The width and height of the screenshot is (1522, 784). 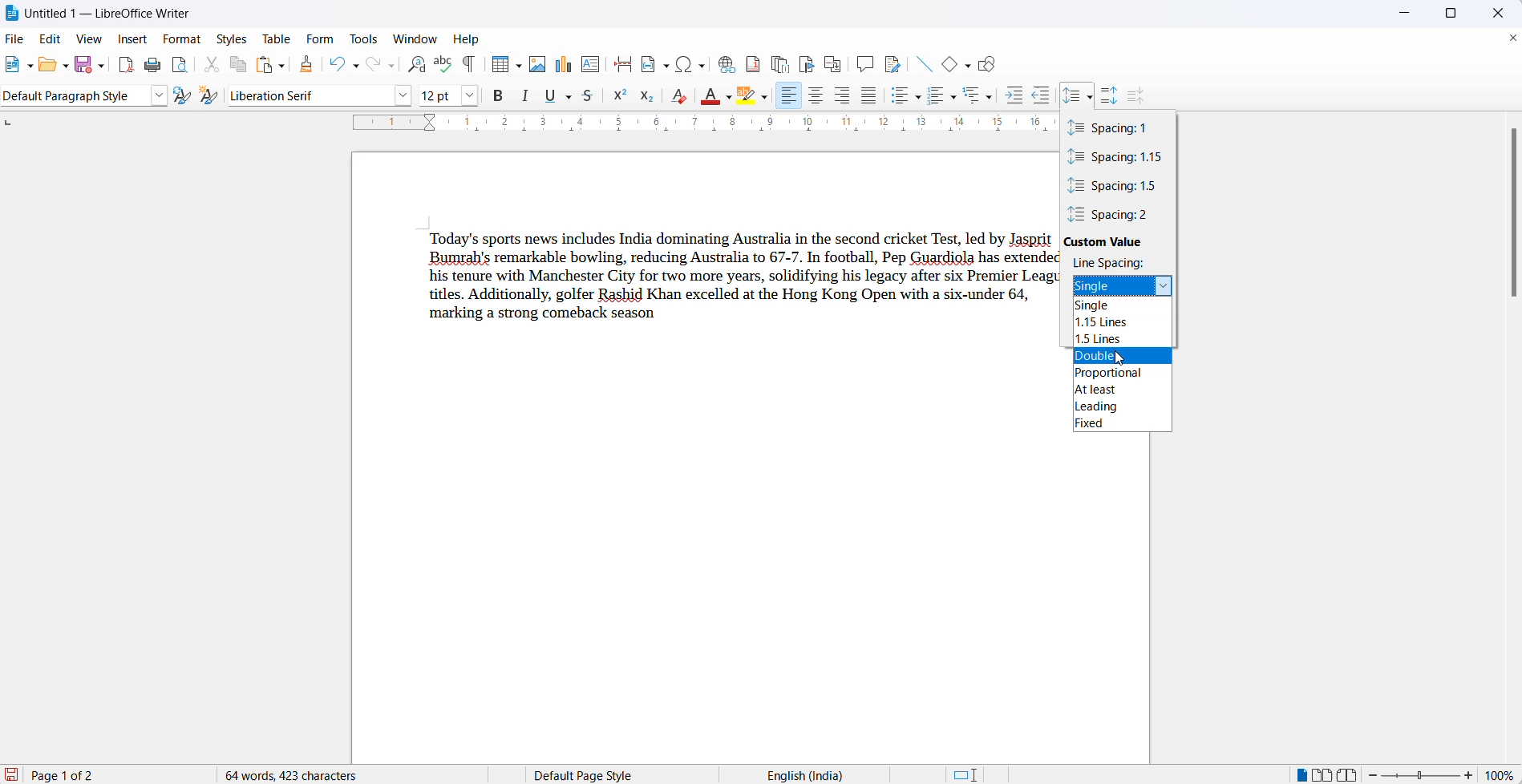 What do you see at coordinates (44, 68) in the screenshot?
I see `open file` at bounding box center [44, 68].